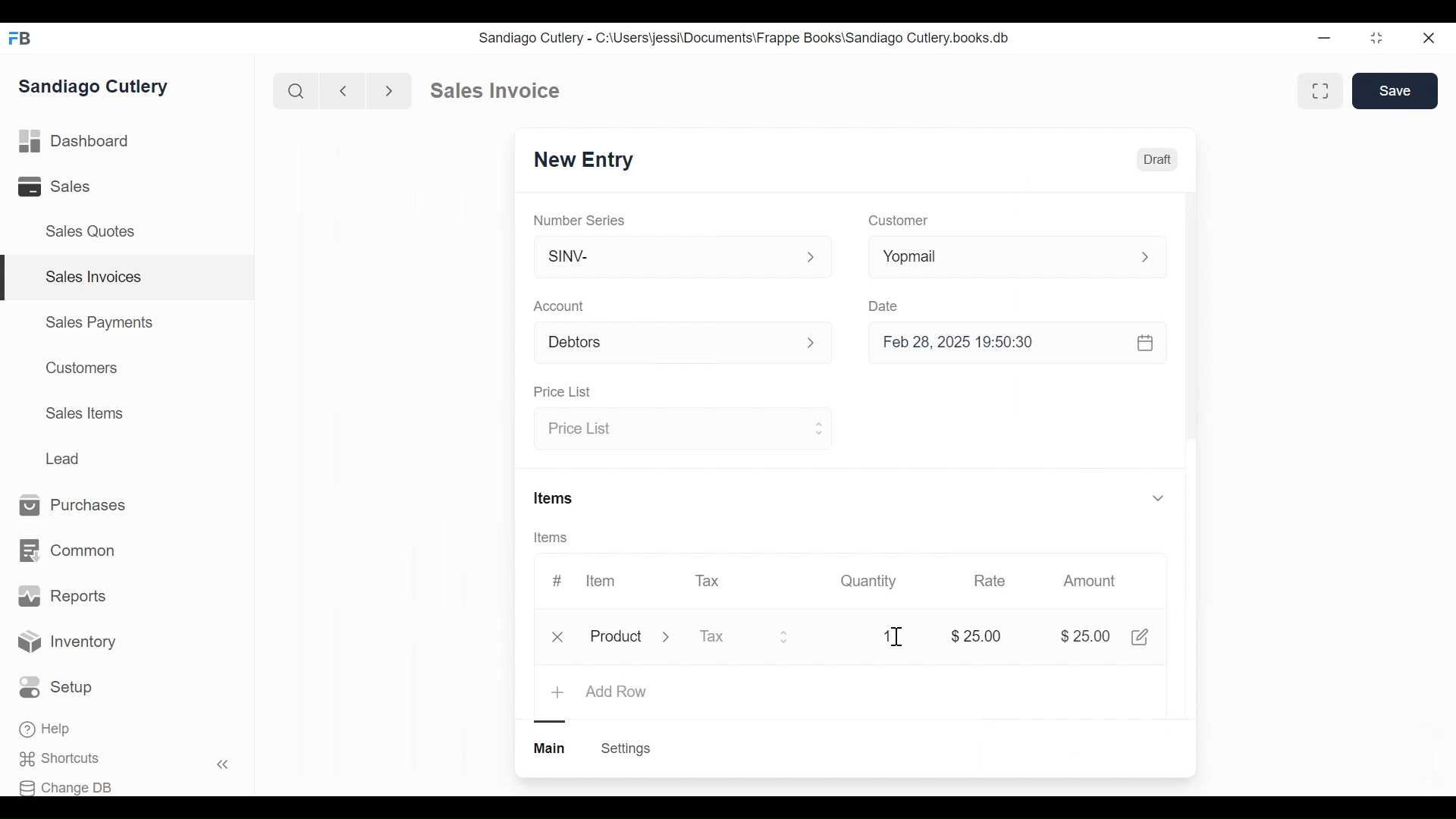 This screenshot has height=819, width=1456. I want to click on Lead, so click(64, 457).